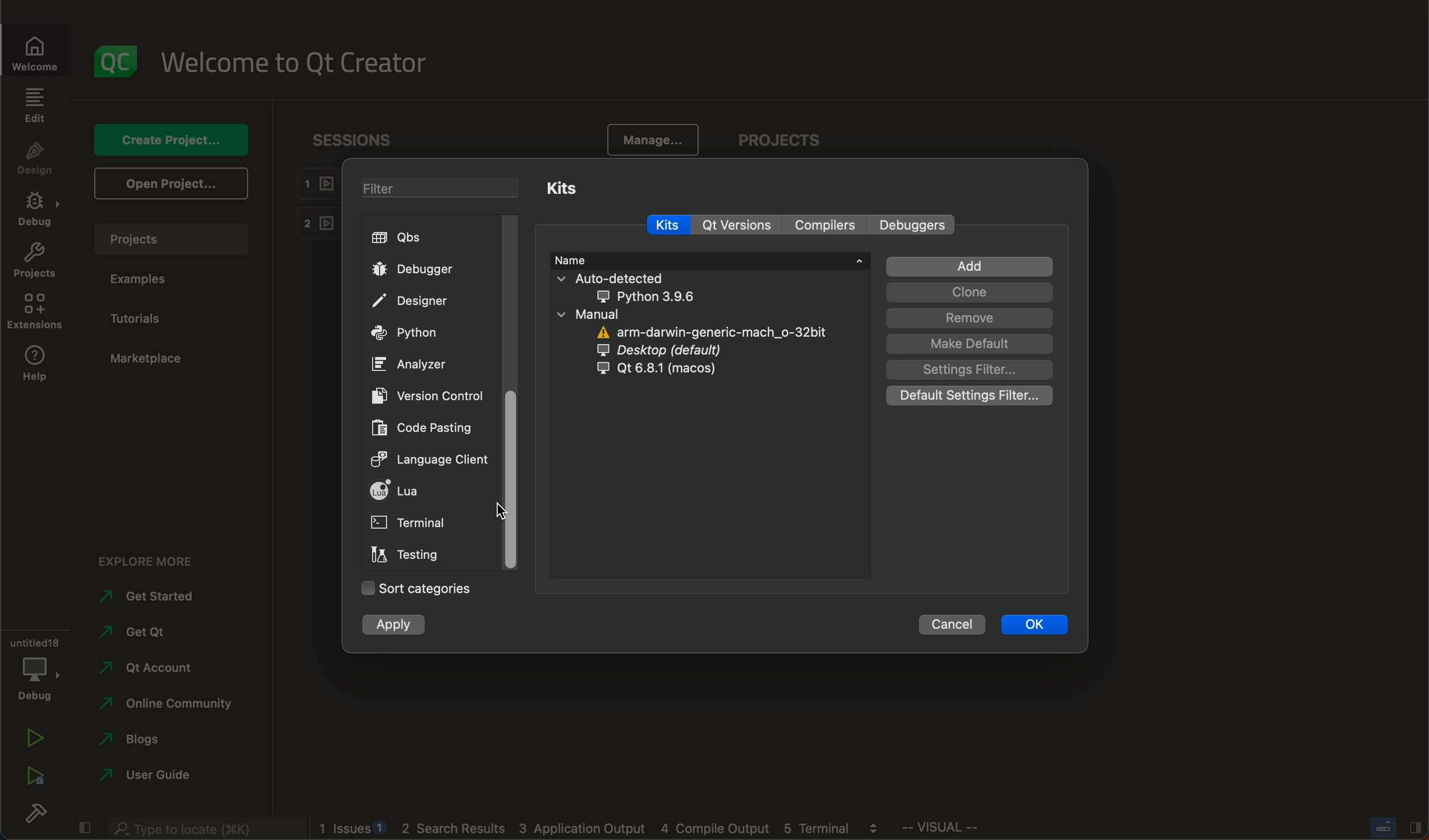 This screenshot has width=1429, height=840. What do you see at coordinates (424, 269) in the screenshot?
I see `debugger` at bounding box center [424, 269].